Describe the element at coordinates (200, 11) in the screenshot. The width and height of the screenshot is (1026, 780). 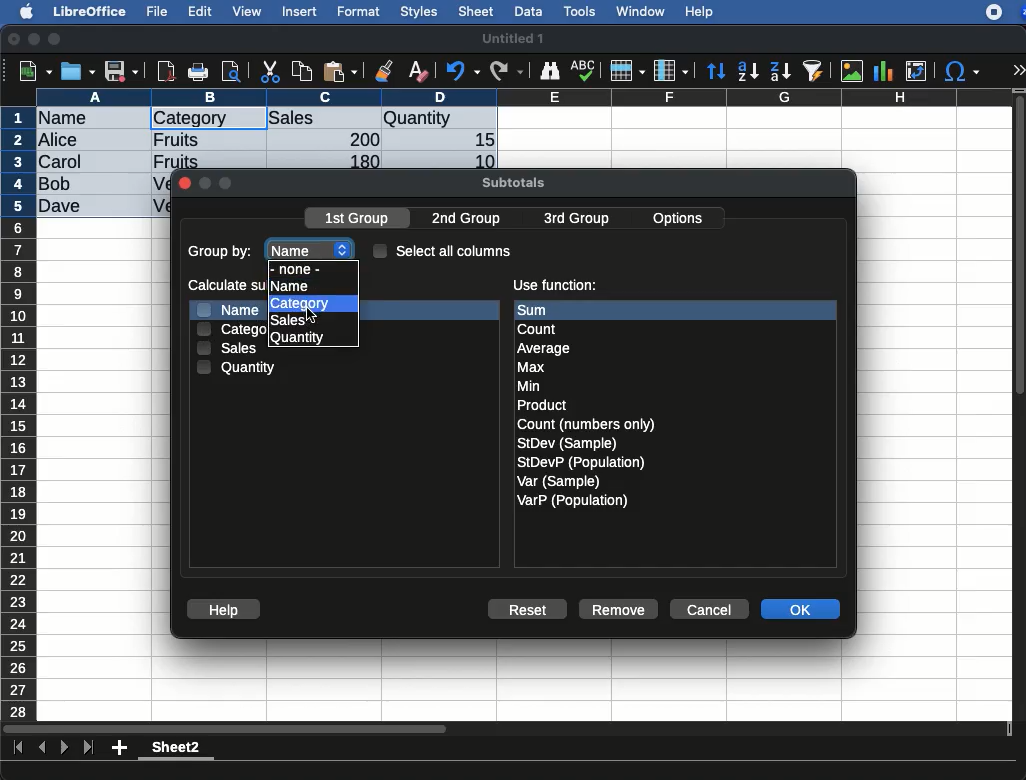
I see `edit` at that location.